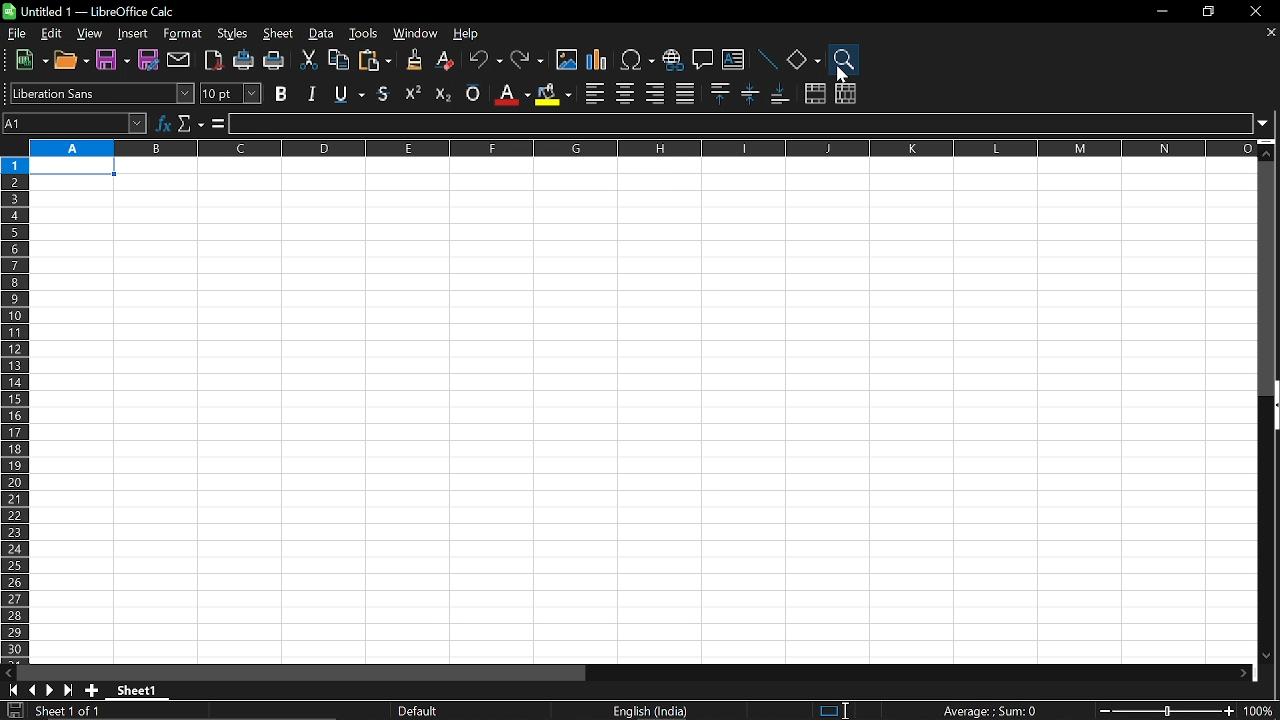 Image resolution: width=1280 pixels, height=720 pixels. What do you see at coordinates (845, 77) in the screenshot?
I see `Cursor` at bounding box center [845, 77].